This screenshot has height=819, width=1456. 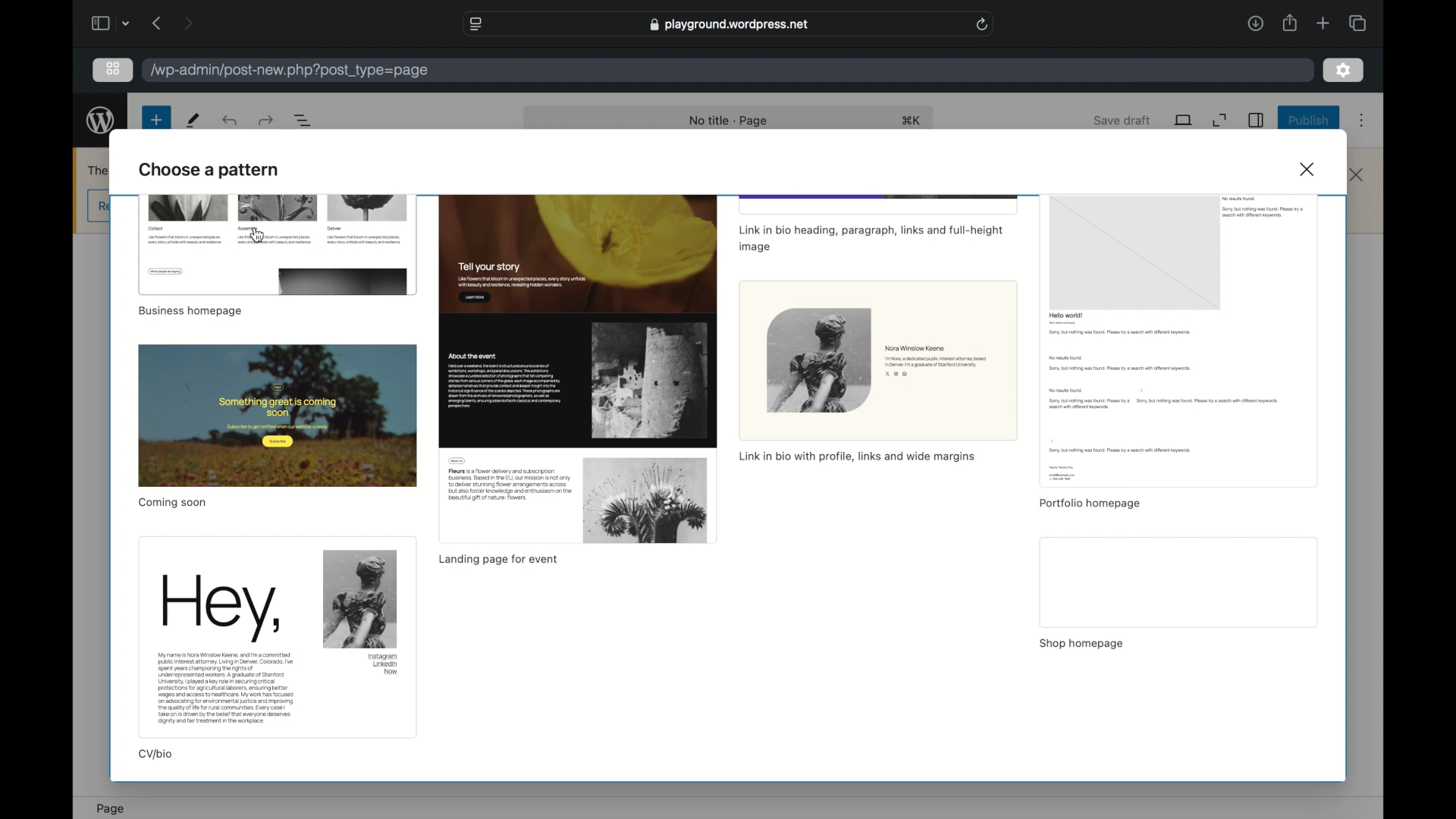 I want to click on preview, so click(x=878, y=360).